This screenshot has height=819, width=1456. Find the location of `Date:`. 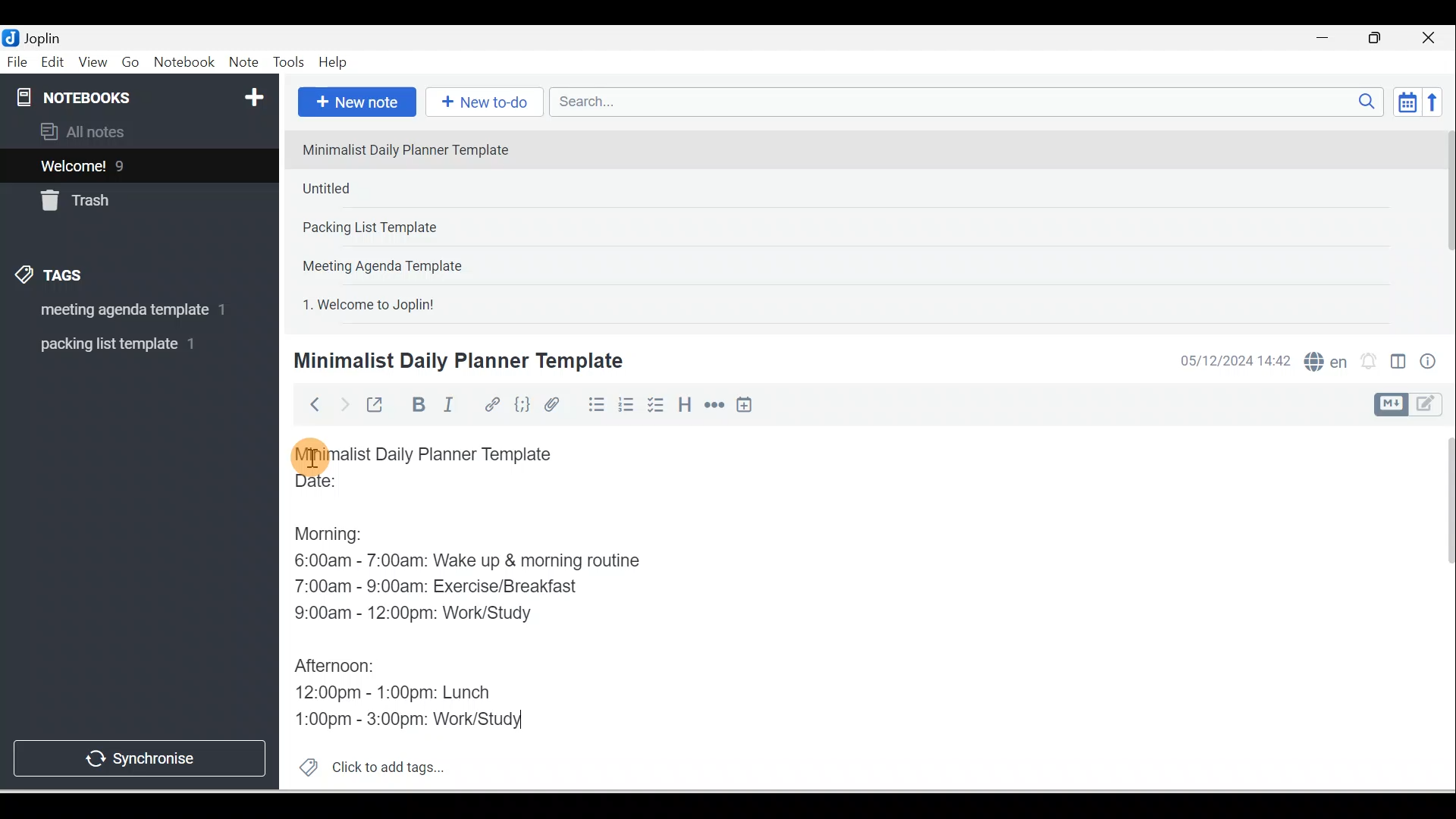

Date: is located at coordinates (359, 488).